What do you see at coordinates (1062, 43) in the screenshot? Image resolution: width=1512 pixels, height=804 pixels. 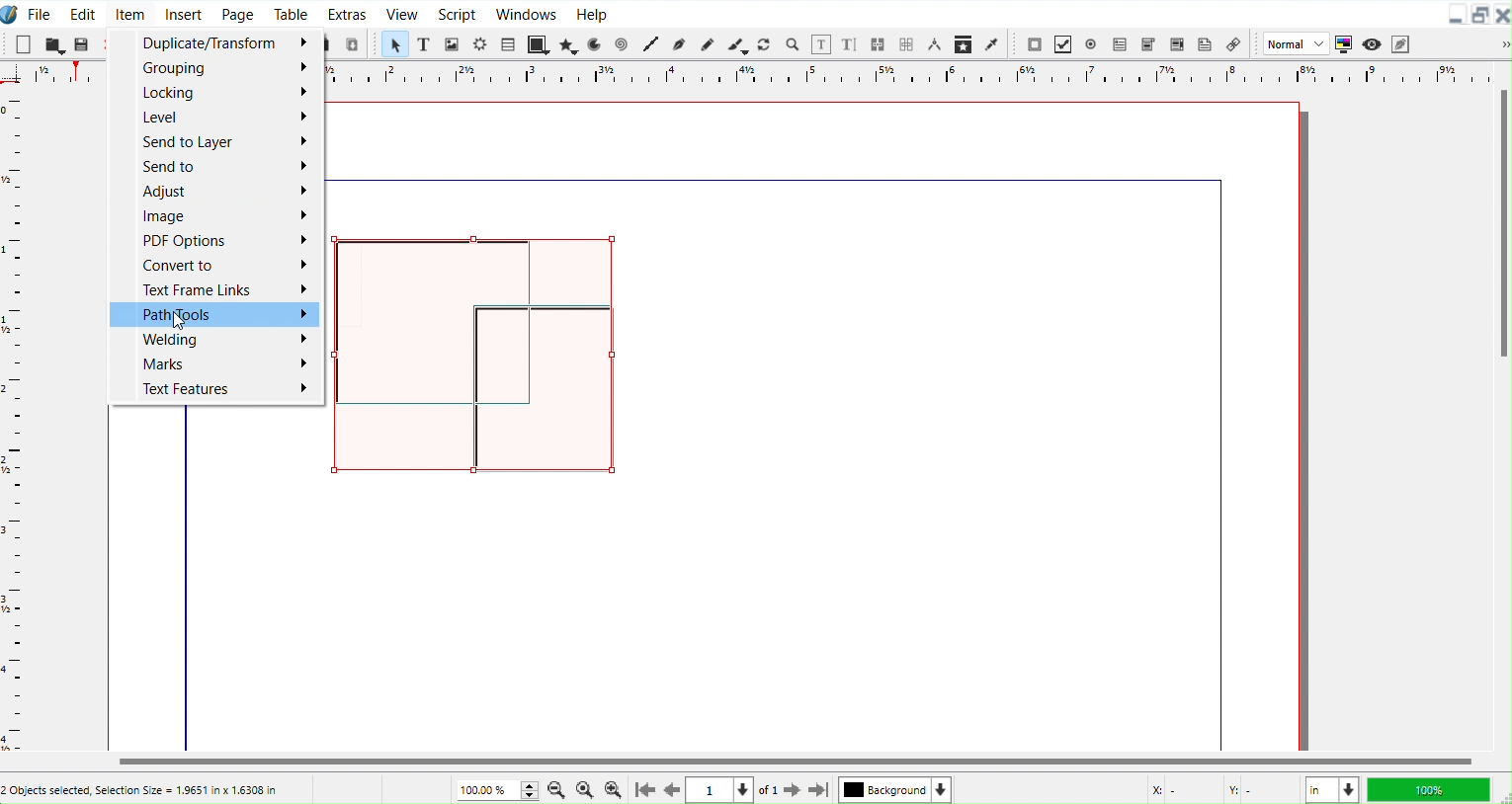 I see `PDF Check box` at bounding box center [1062, 43].